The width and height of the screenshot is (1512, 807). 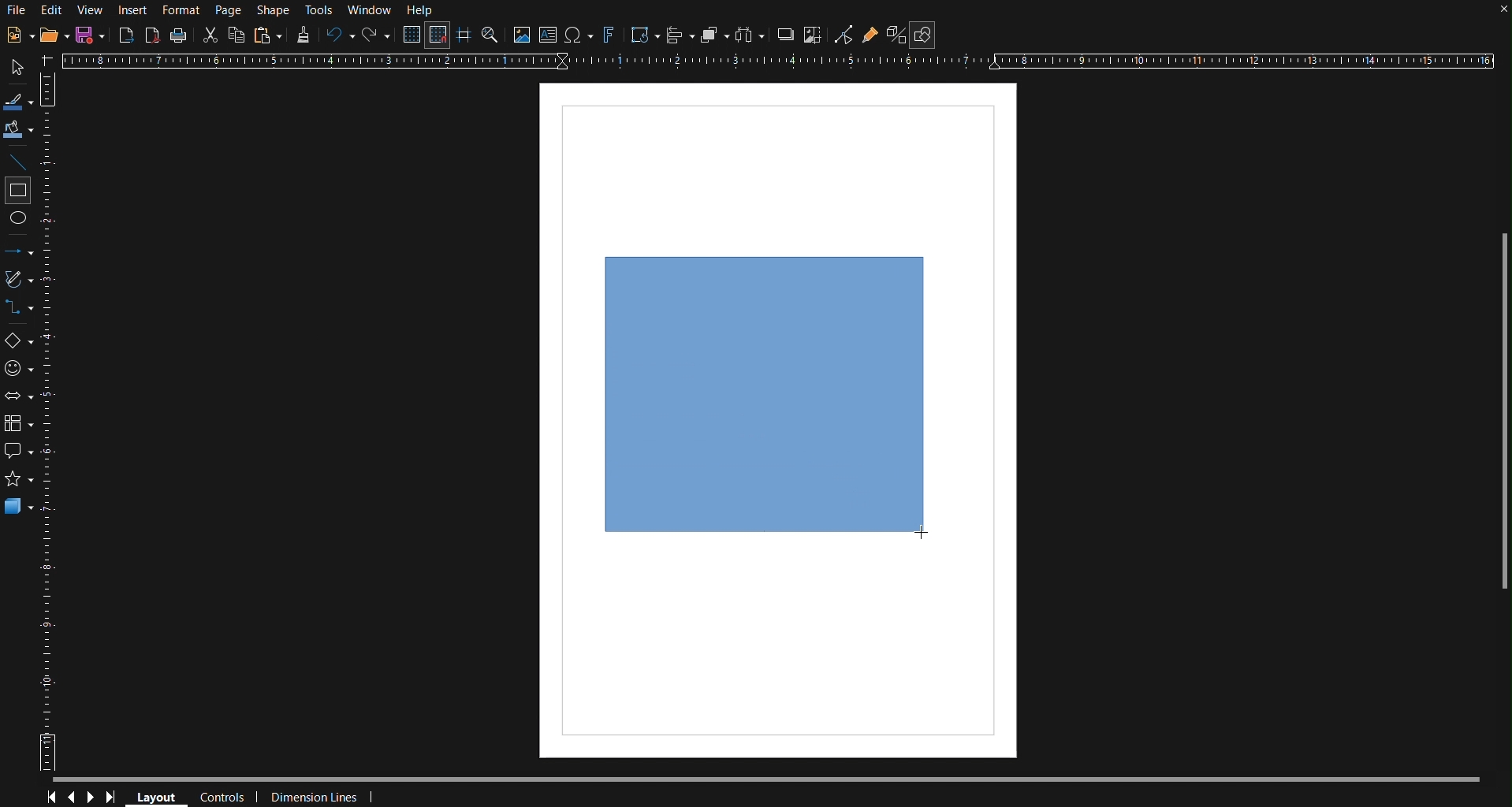 What do you see at coordinates (1503, 419) in the screenshot?
I see `Scrollbar` at bounding box center [1503, 419].